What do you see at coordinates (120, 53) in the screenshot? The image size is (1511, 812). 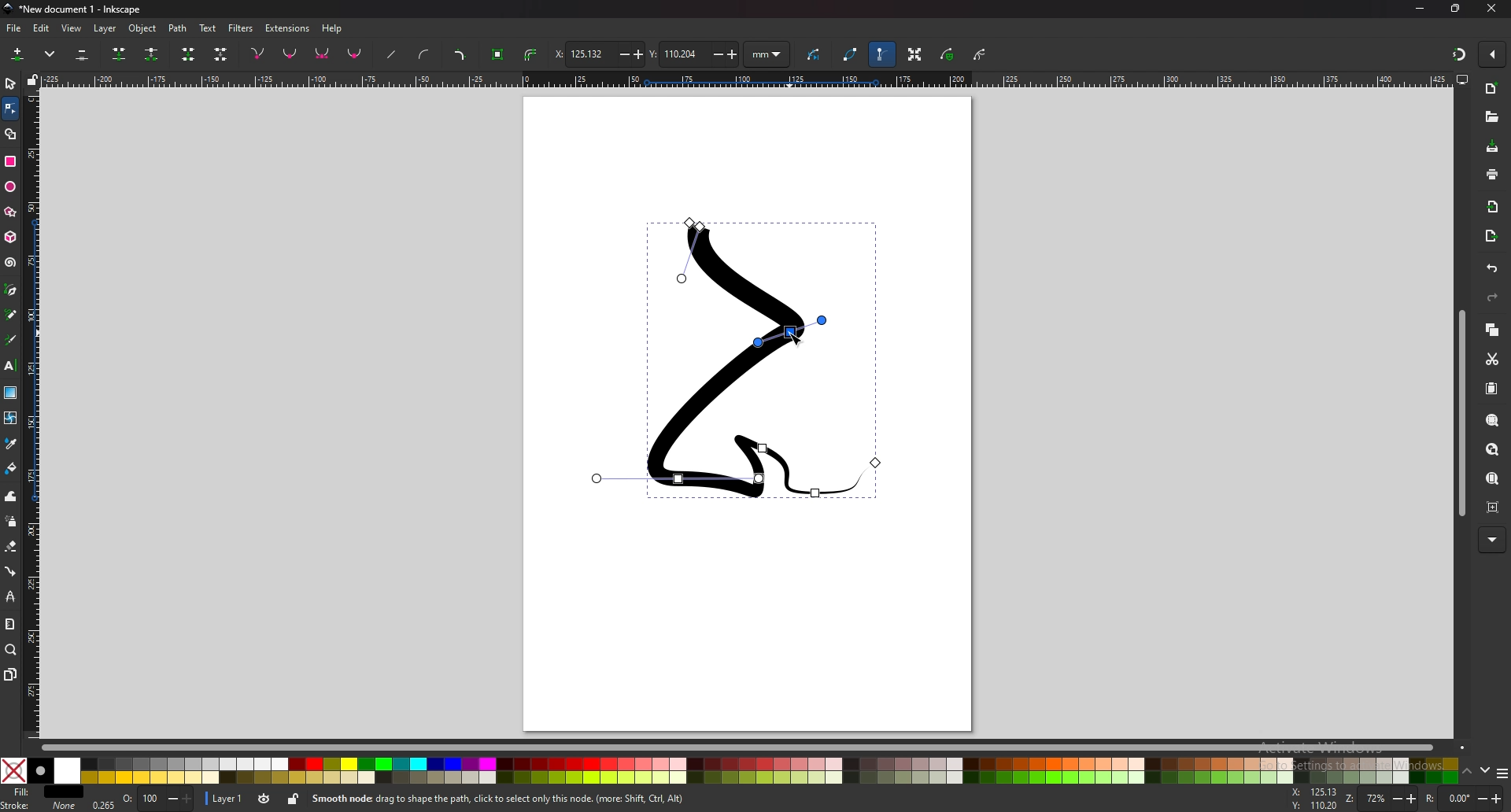 I see `join selected nodes` at bounding box center [120, 53].